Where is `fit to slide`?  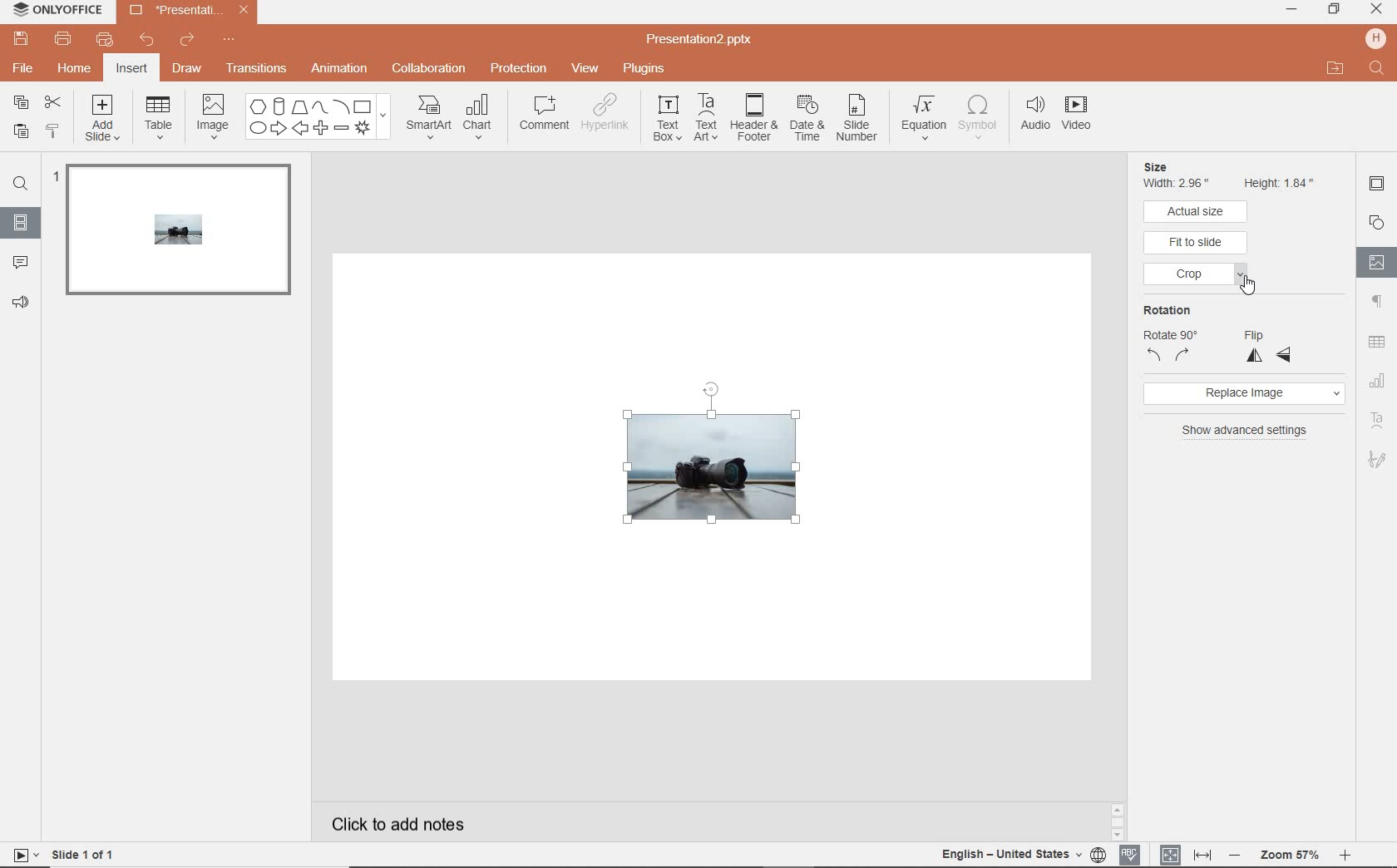
fit to slide is located at coordinates (1197, 243).